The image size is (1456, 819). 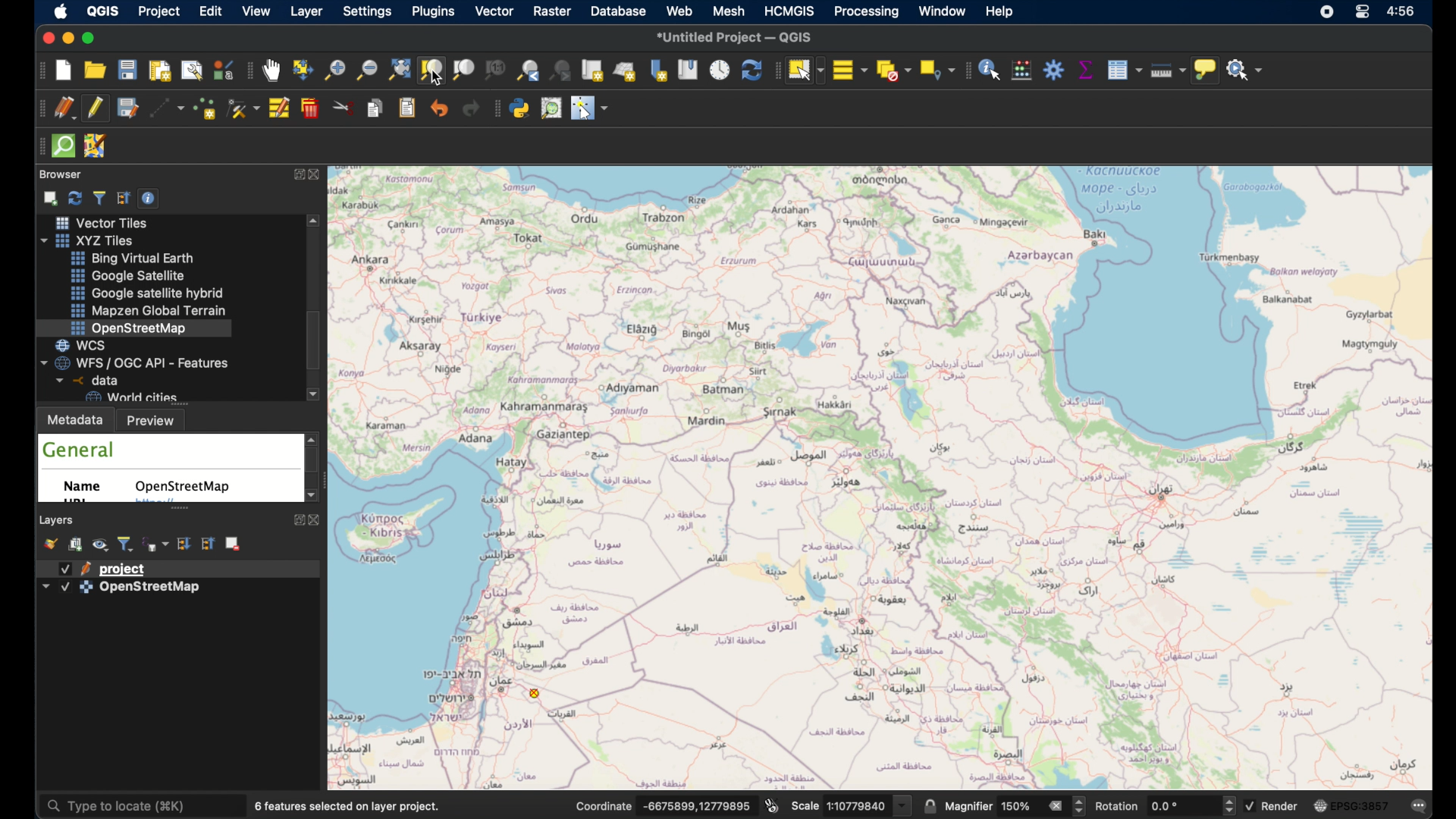 I want to click on render, so click(x=1282, y=805).